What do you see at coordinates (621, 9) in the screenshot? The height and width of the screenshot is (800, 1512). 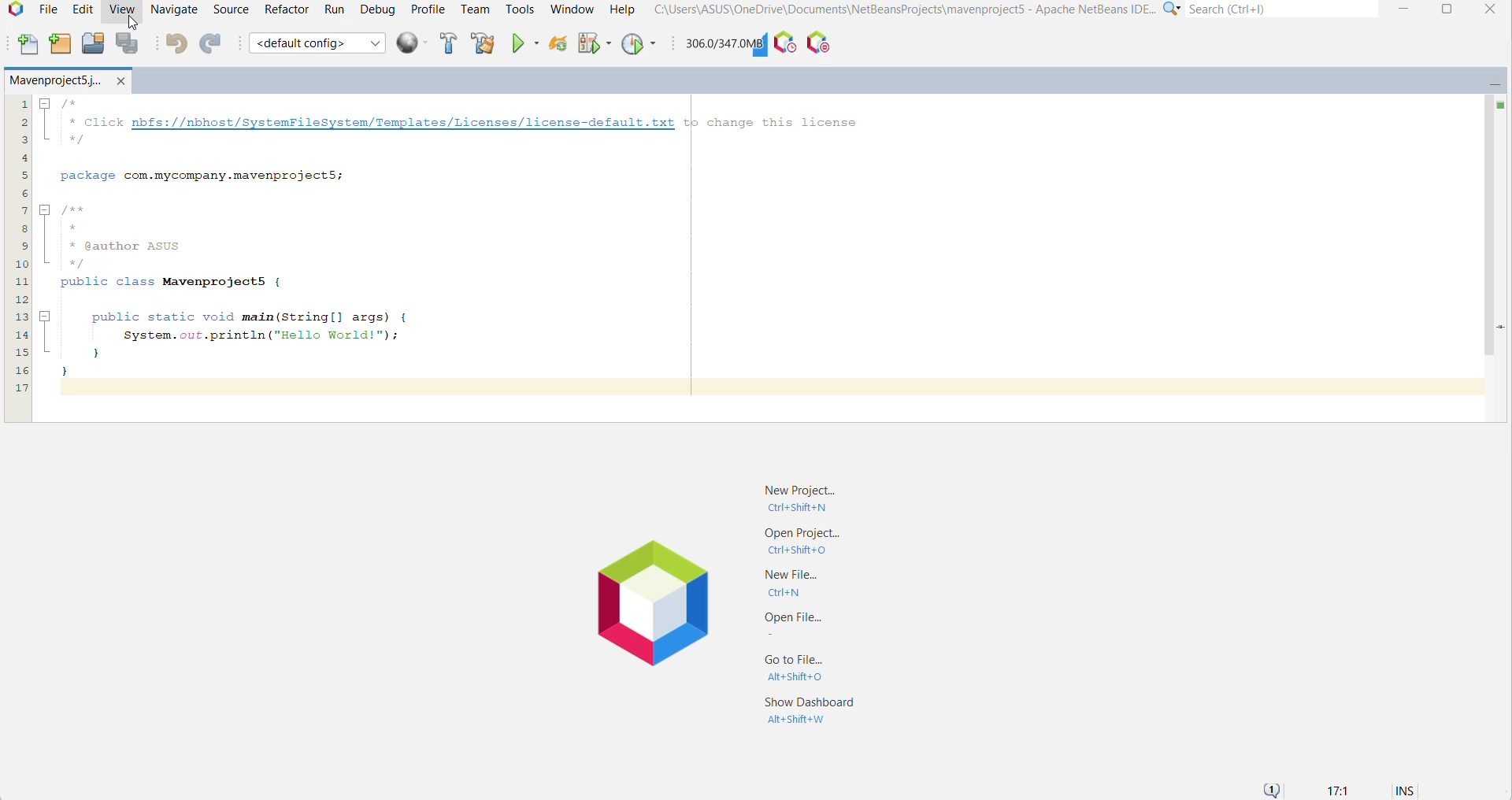 I see `Help` at bounding box center [621, 9].